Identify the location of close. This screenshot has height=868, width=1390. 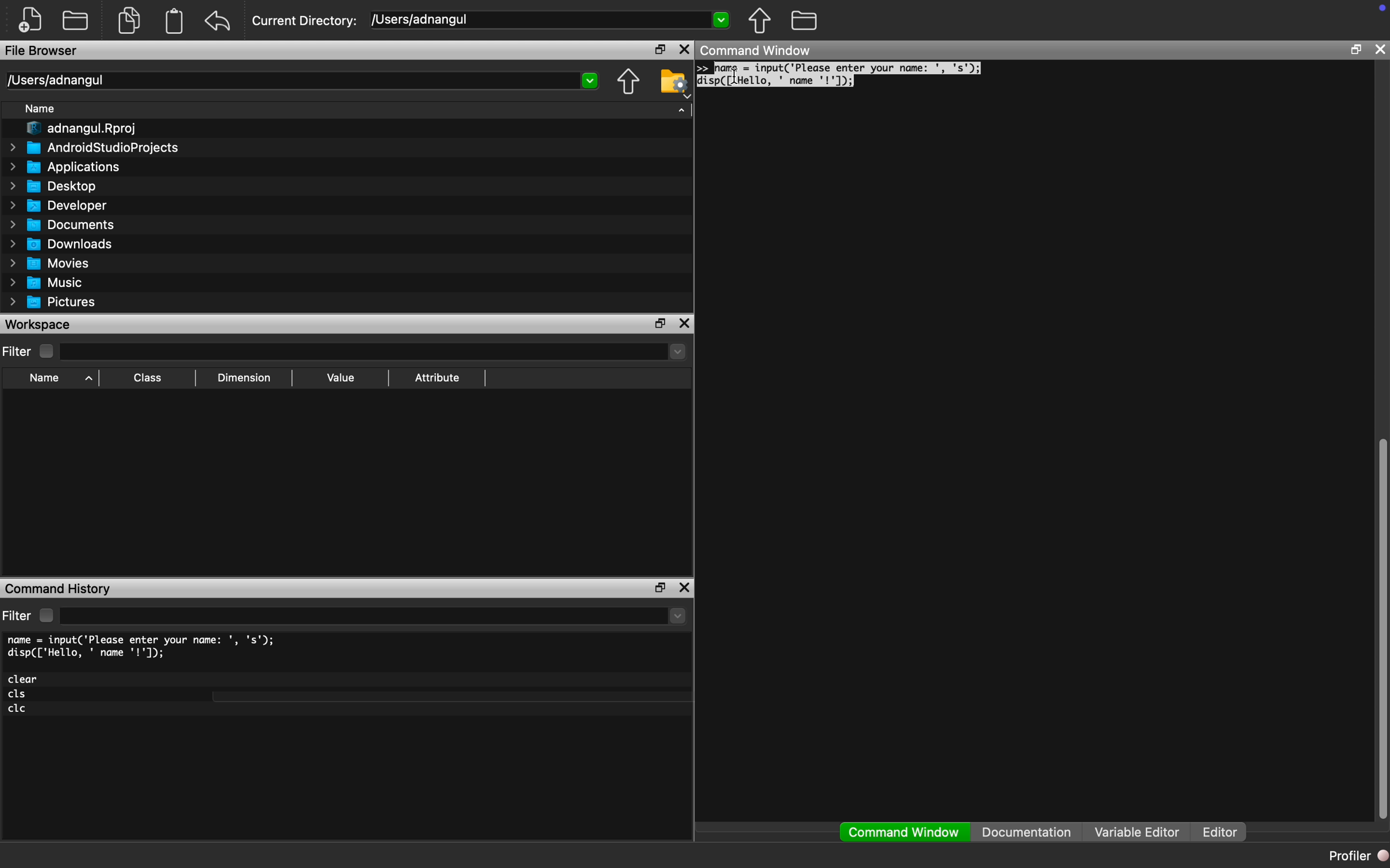
(685, 587).